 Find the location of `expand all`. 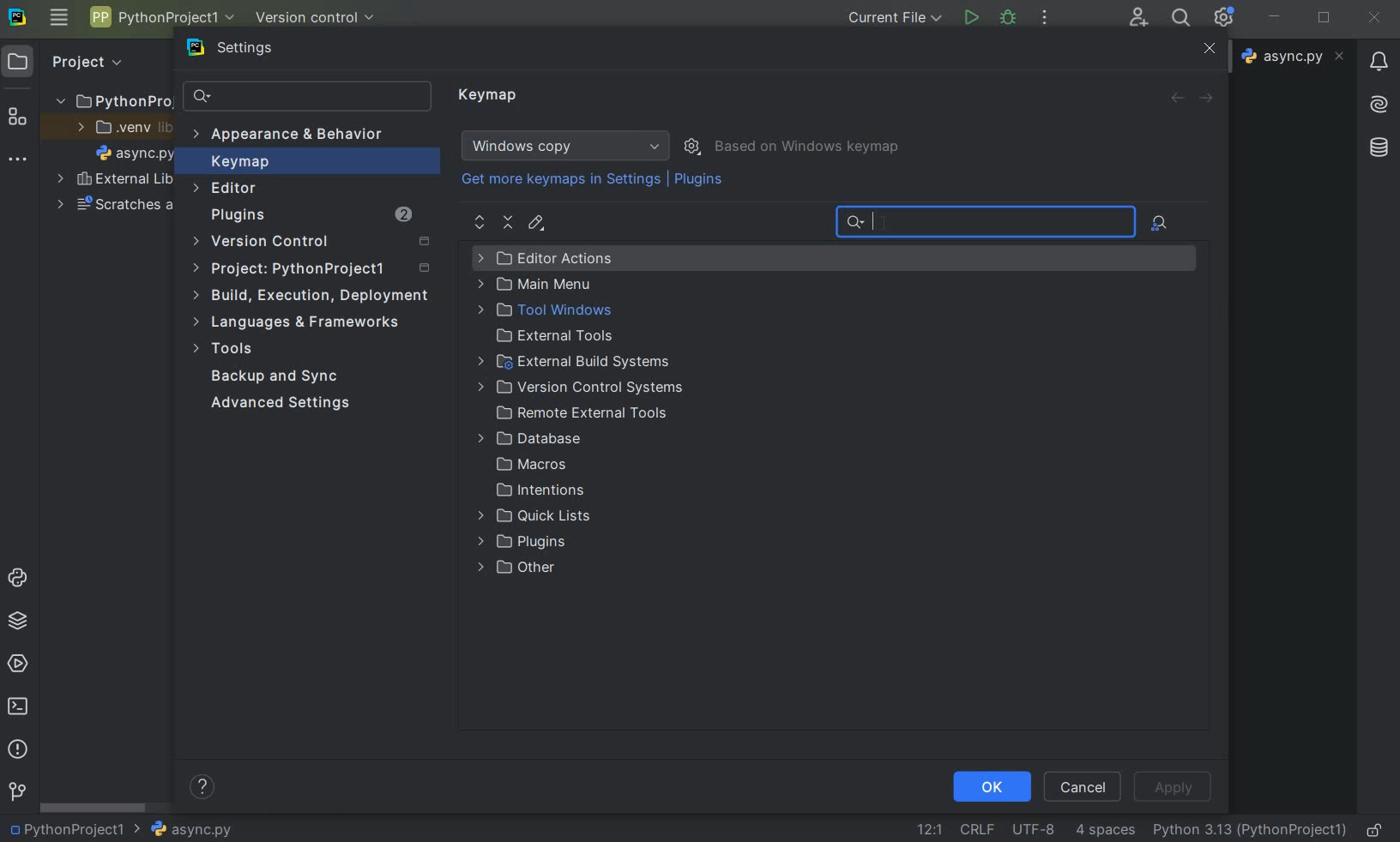

expand all is located at coordinates (480, 223).